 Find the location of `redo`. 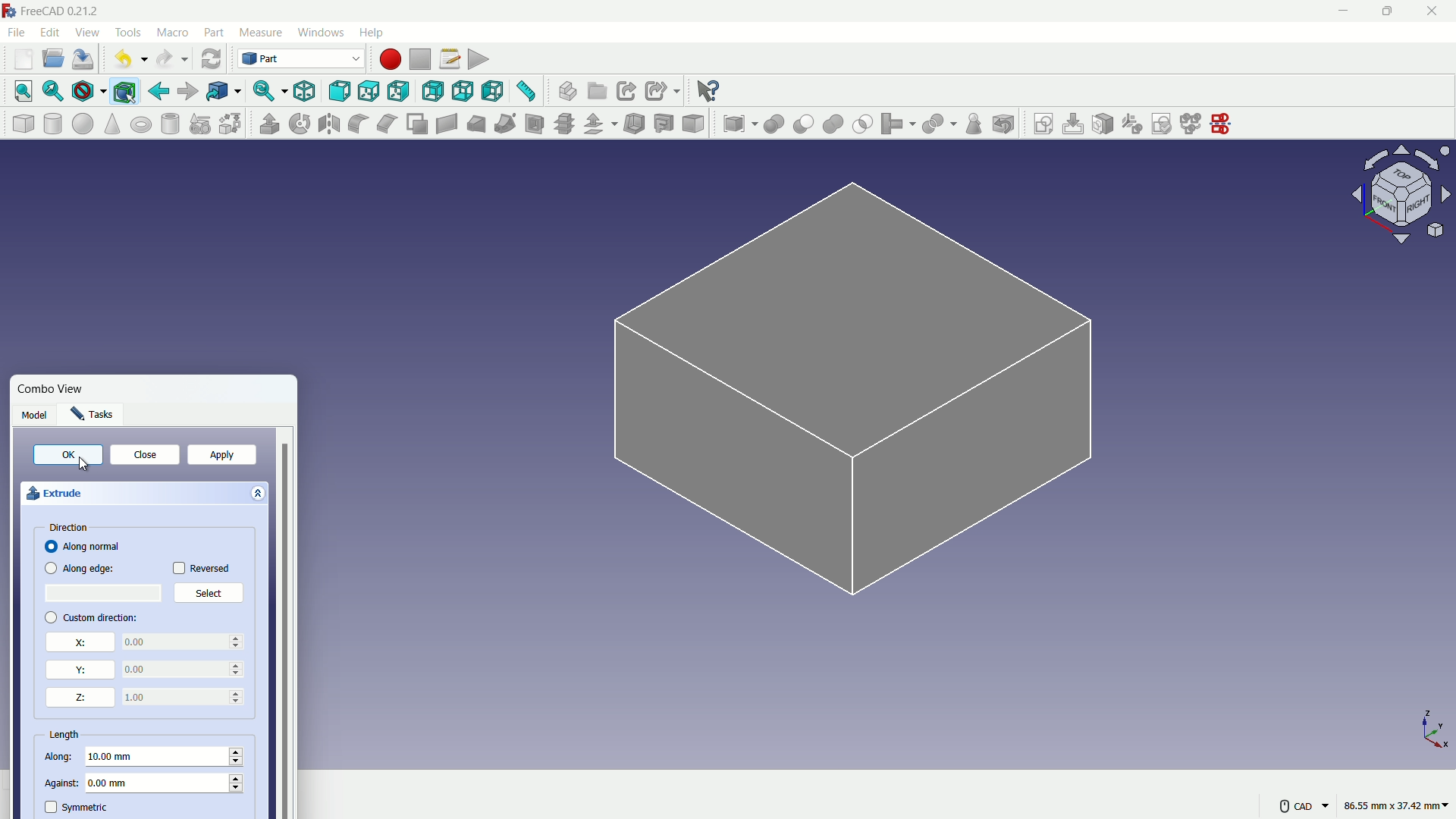

redo is located at coordinates (171, 58).